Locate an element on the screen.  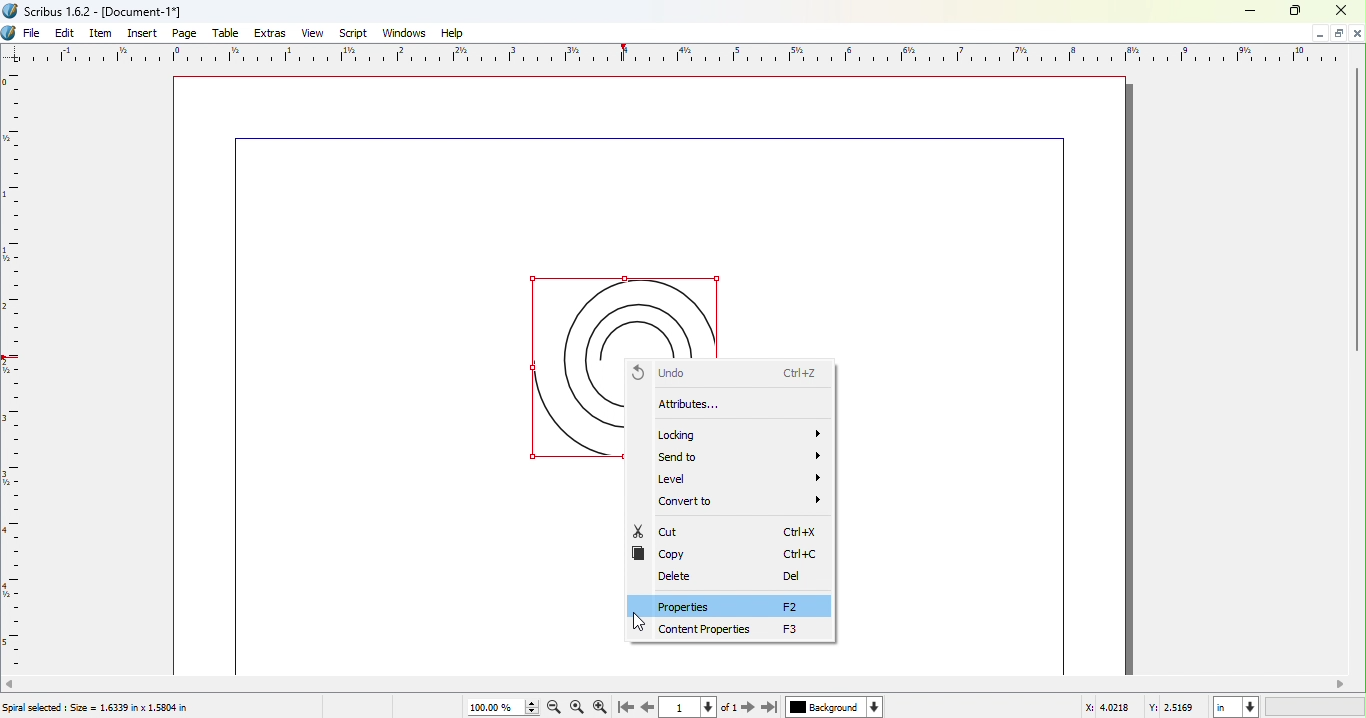
Insert is located at coordinates (144, 33).